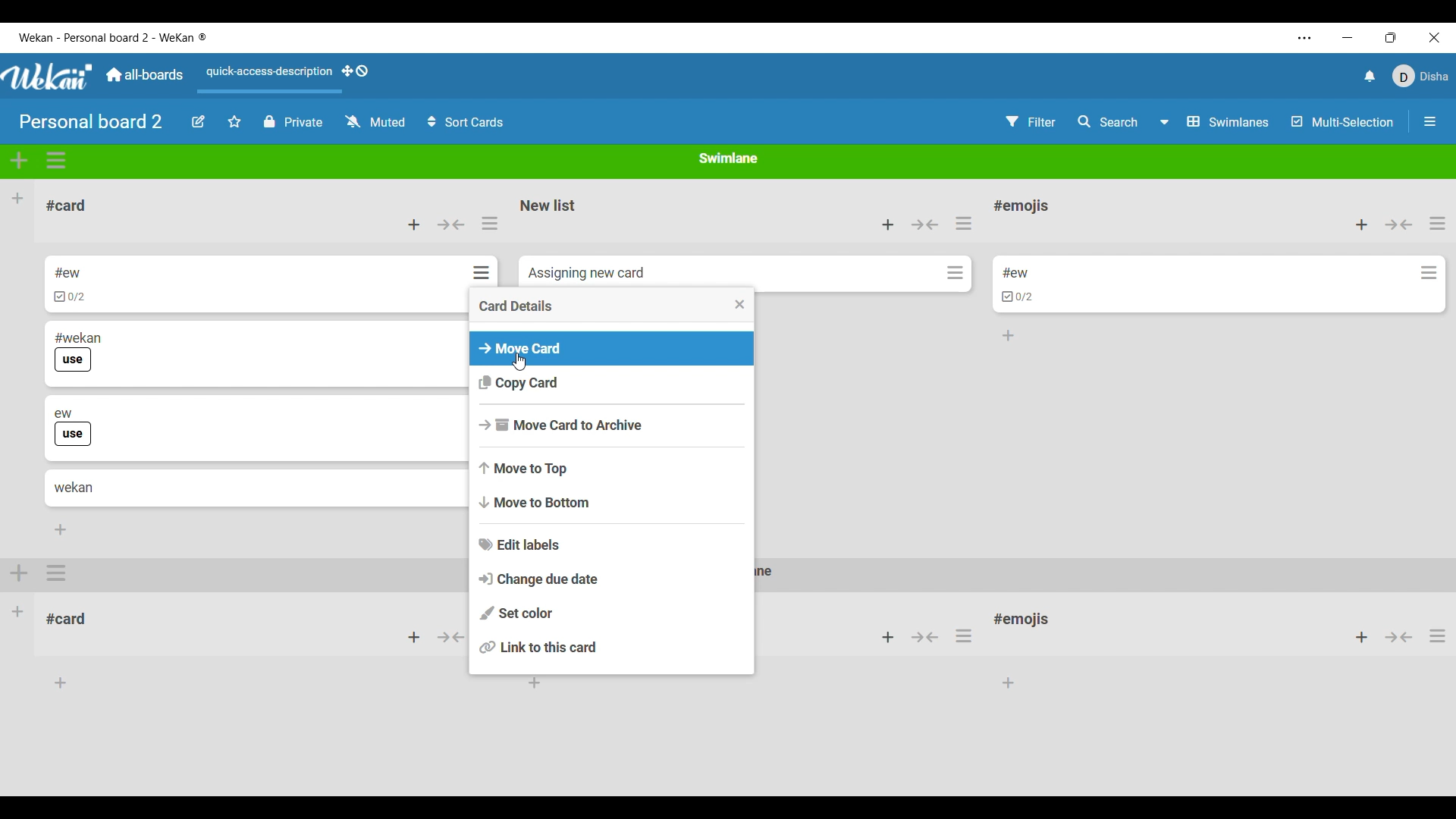 This screenshot has height=819, width=1456. Describe the element at coordinates (61, 529) in the screenshot. I see `Add card to bottom of list` at that location.